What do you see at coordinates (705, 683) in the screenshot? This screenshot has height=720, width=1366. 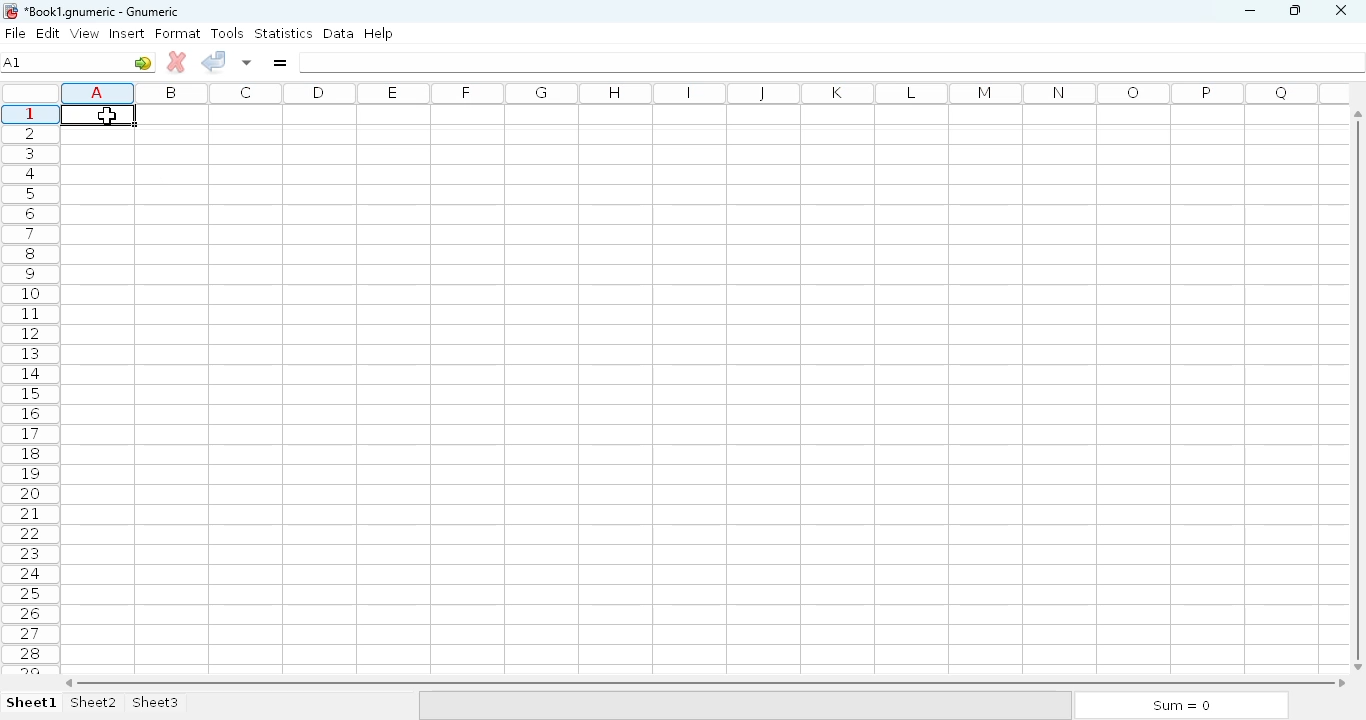 I see `horizontal scroll bar` at bounding box center [705, 683].